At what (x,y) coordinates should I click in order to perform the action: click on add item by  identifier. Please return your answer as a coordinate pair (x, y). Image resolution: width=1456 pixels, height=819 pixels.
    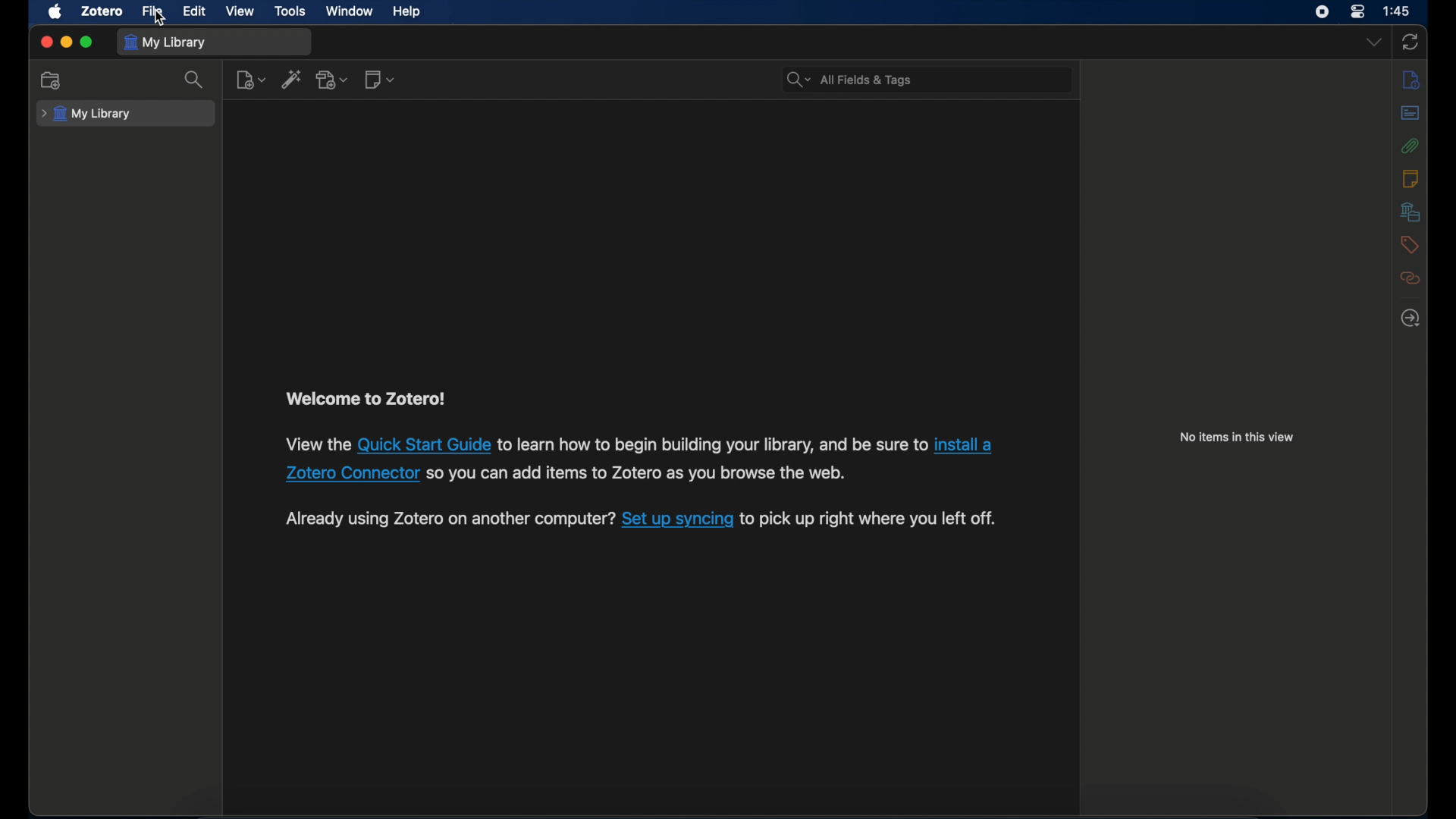
    Looking at the image, I should click on (292, 79).